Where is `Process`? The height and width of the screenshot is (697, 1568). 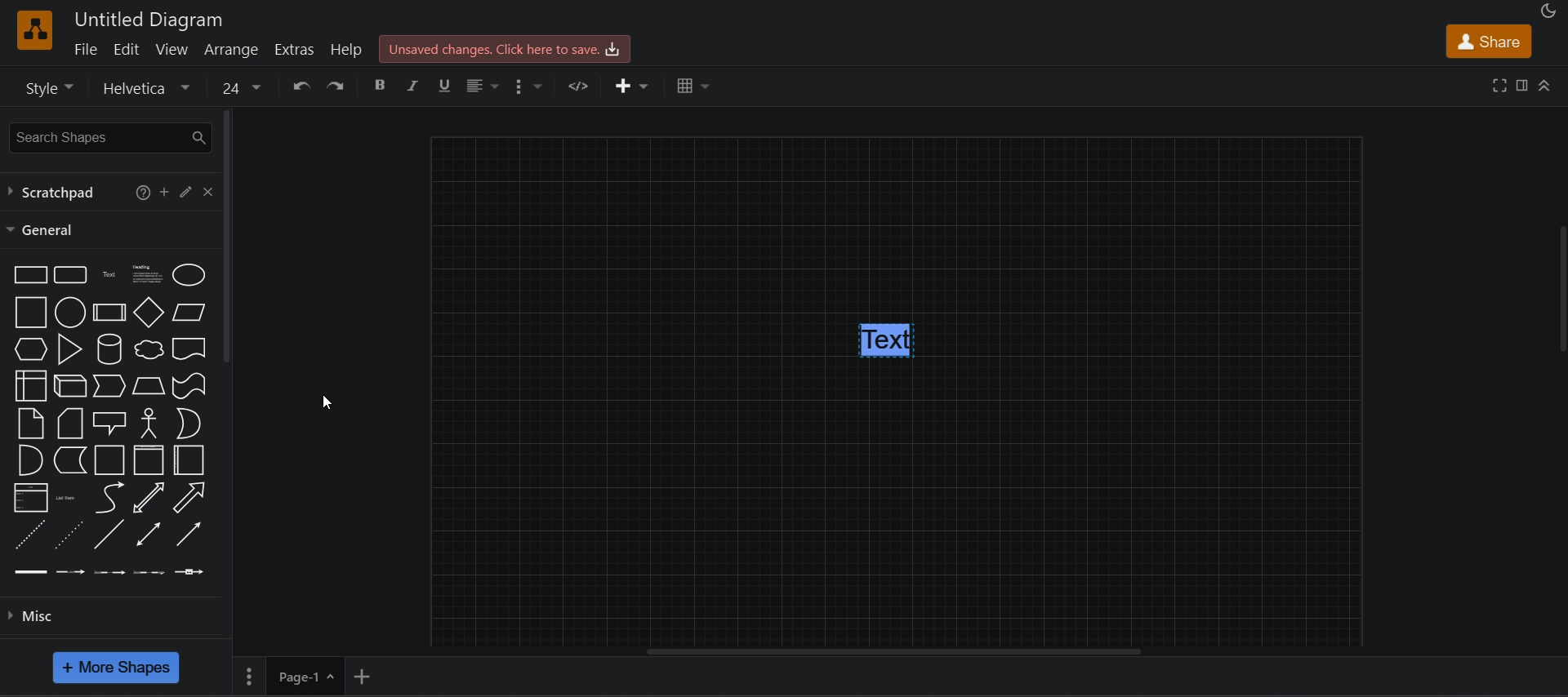
Process is located at coordinates (109, 313).